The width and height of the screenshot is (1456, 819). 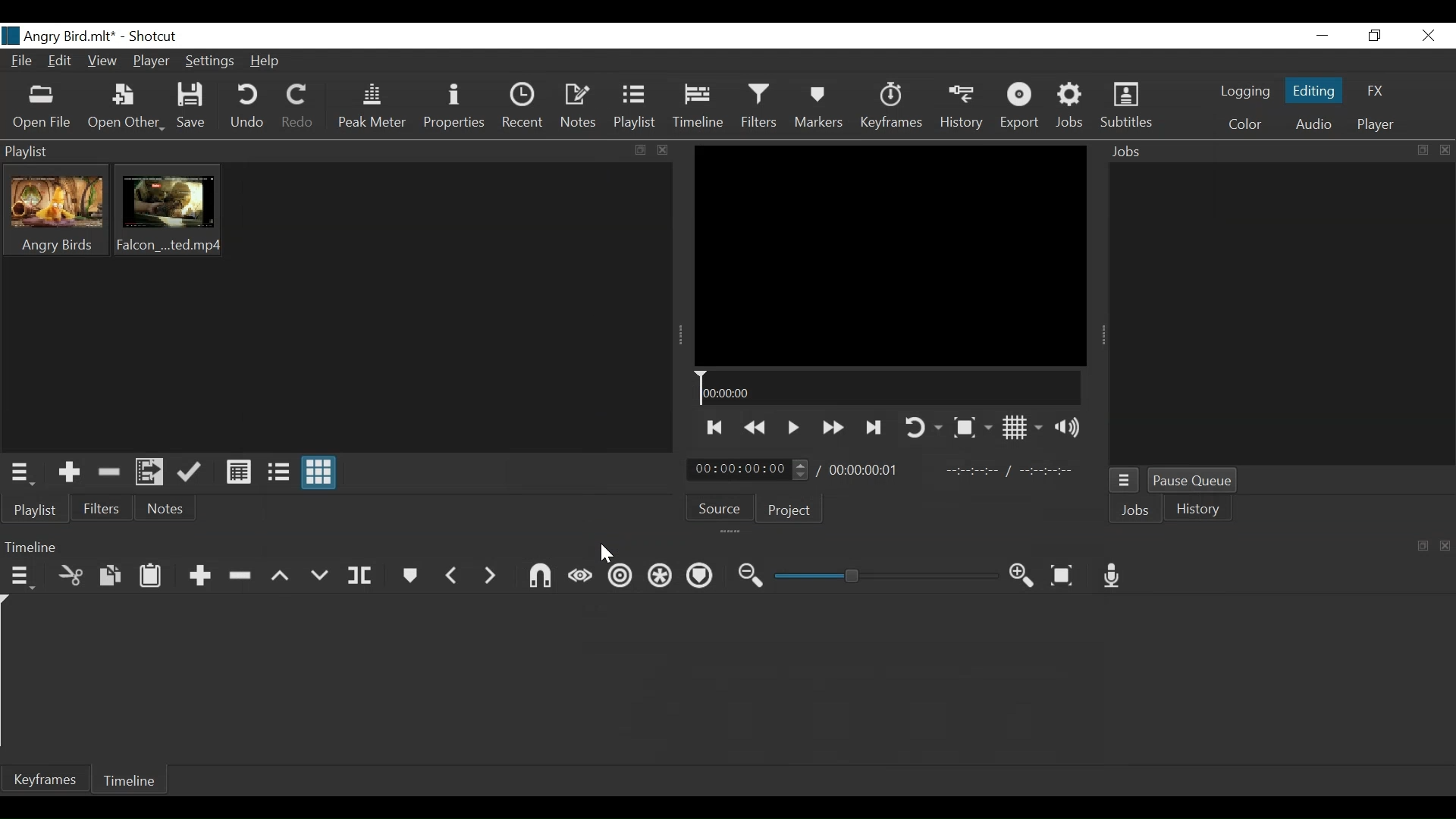 What do you see at coordinates (453, 107) in the screenshot?
I see `Properties` at bounding box center [453, 107].